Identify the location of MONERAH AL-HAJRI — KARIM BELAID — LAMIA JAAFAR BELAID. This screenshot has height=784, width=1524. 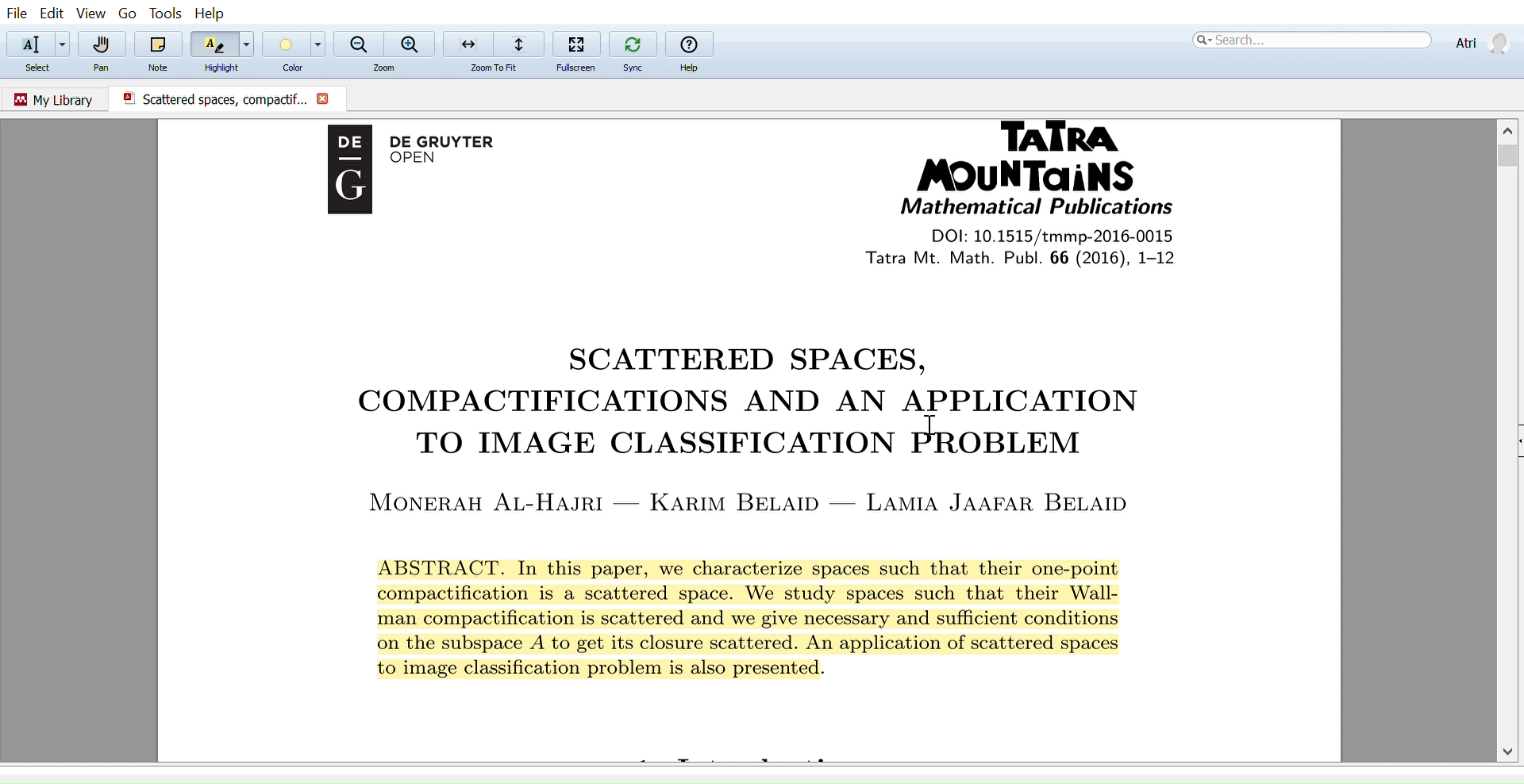
(754, 501).